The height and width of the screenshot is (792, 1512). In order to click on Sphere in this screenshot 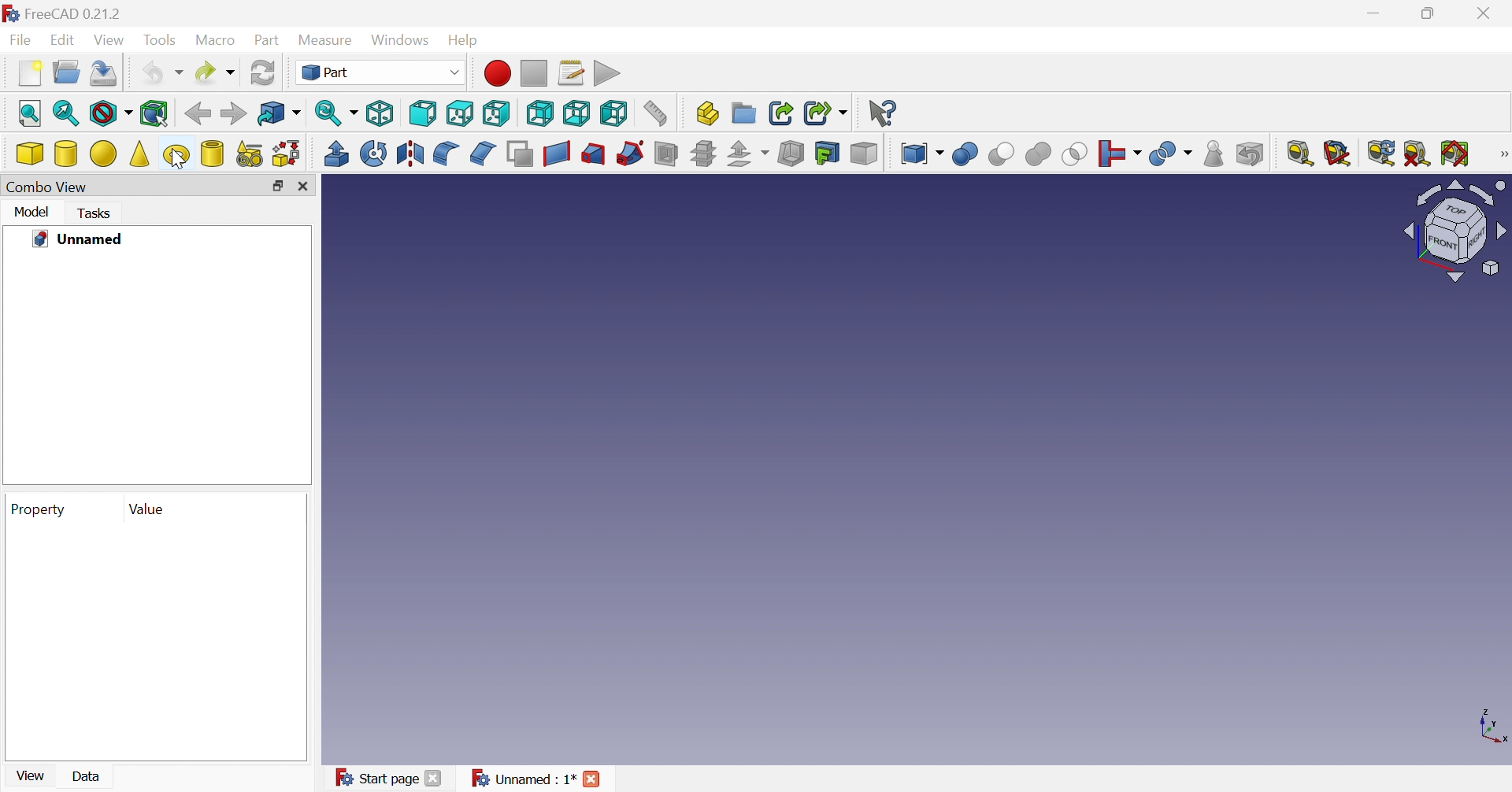, I will do `click(104, 154)`.